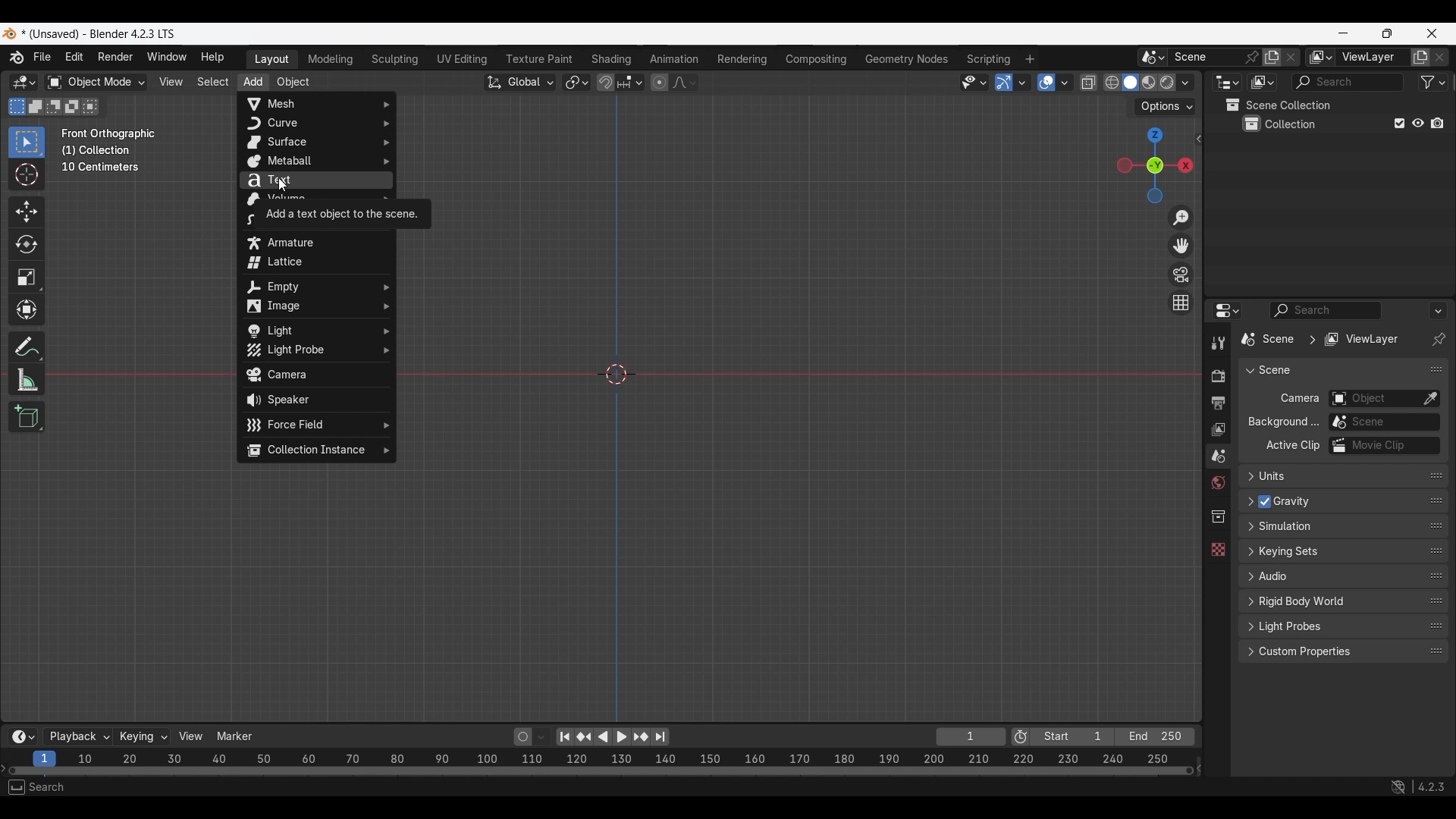  Describe the element at coordinates (246, 218) in the screenshot. I see `Grease Pencil options` at that location.